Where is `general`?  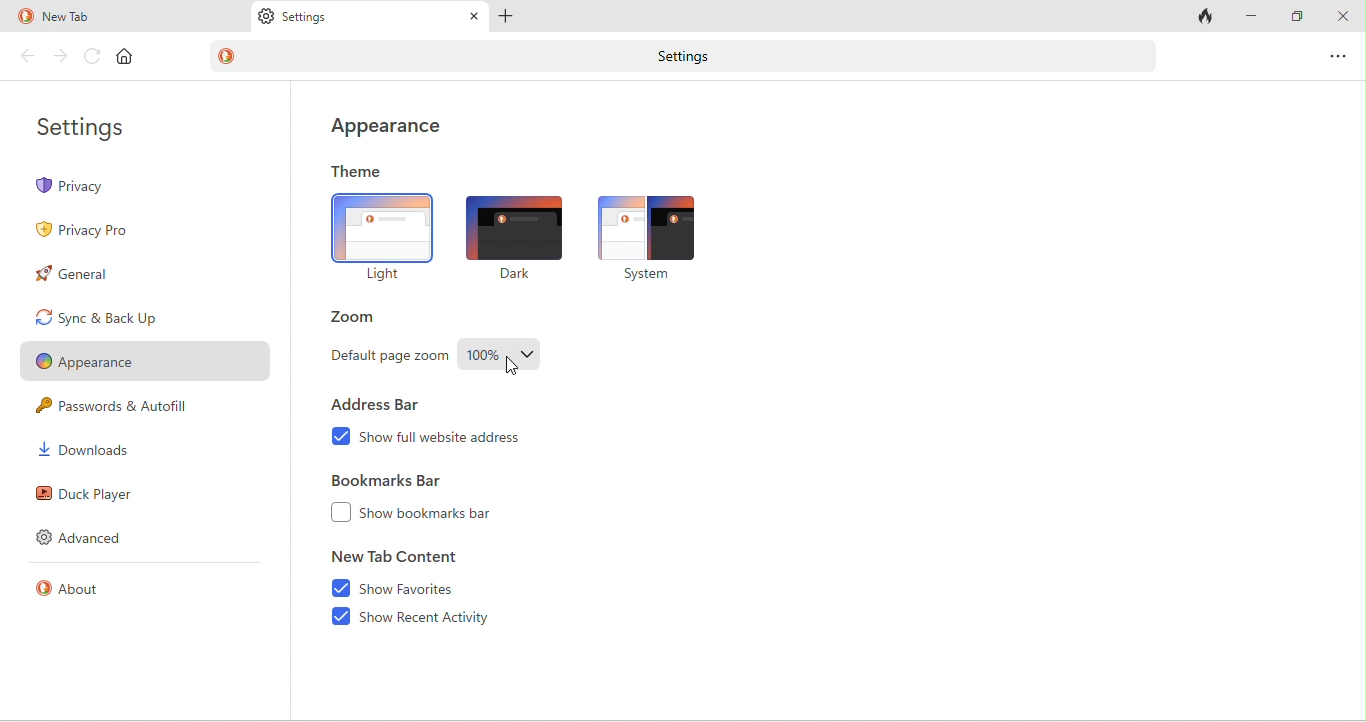 general is located at coordinates (102, 275).